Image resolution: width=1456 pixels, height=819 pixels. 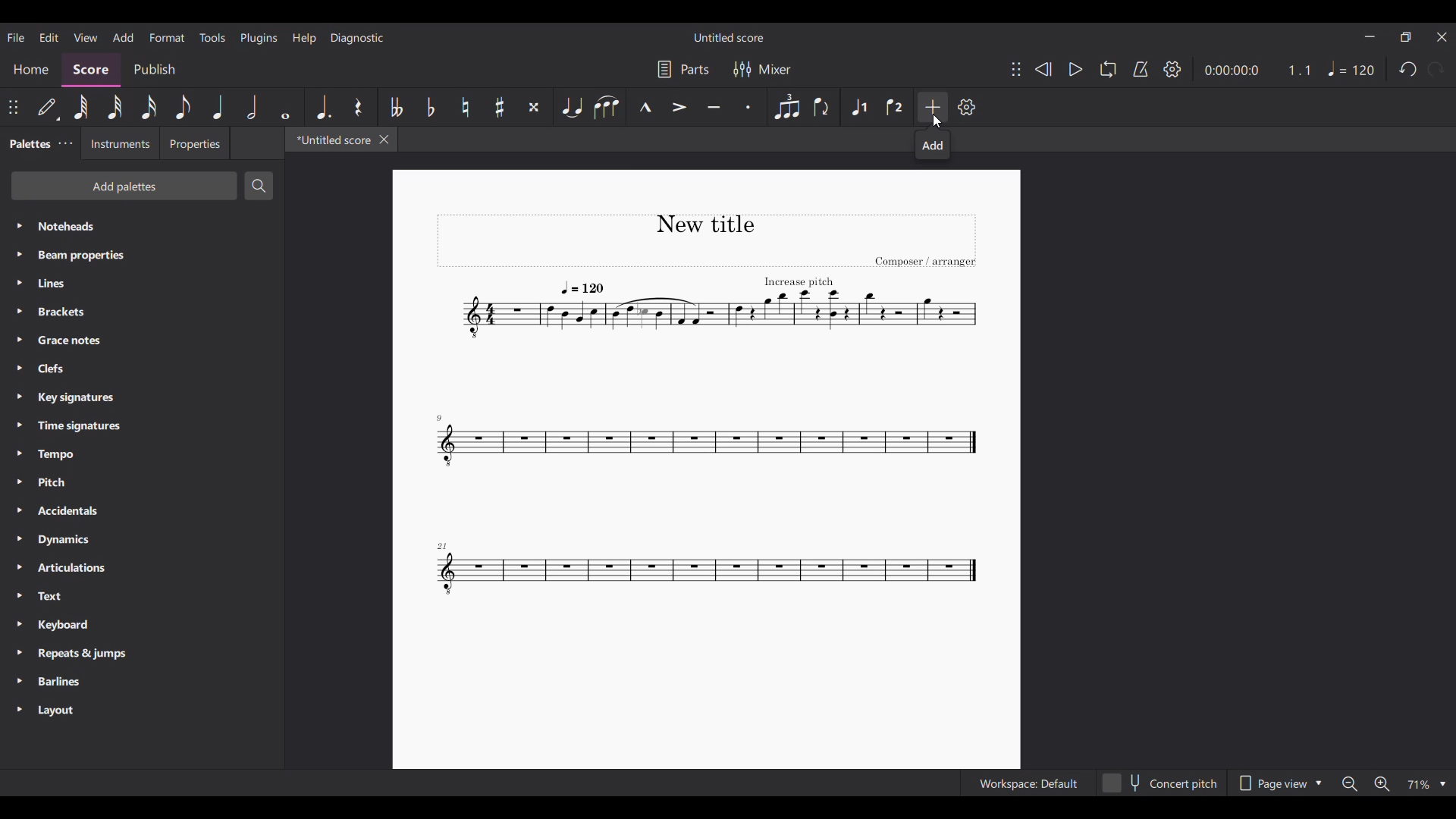 I want to click on Lines, so click(x=142, y=283).